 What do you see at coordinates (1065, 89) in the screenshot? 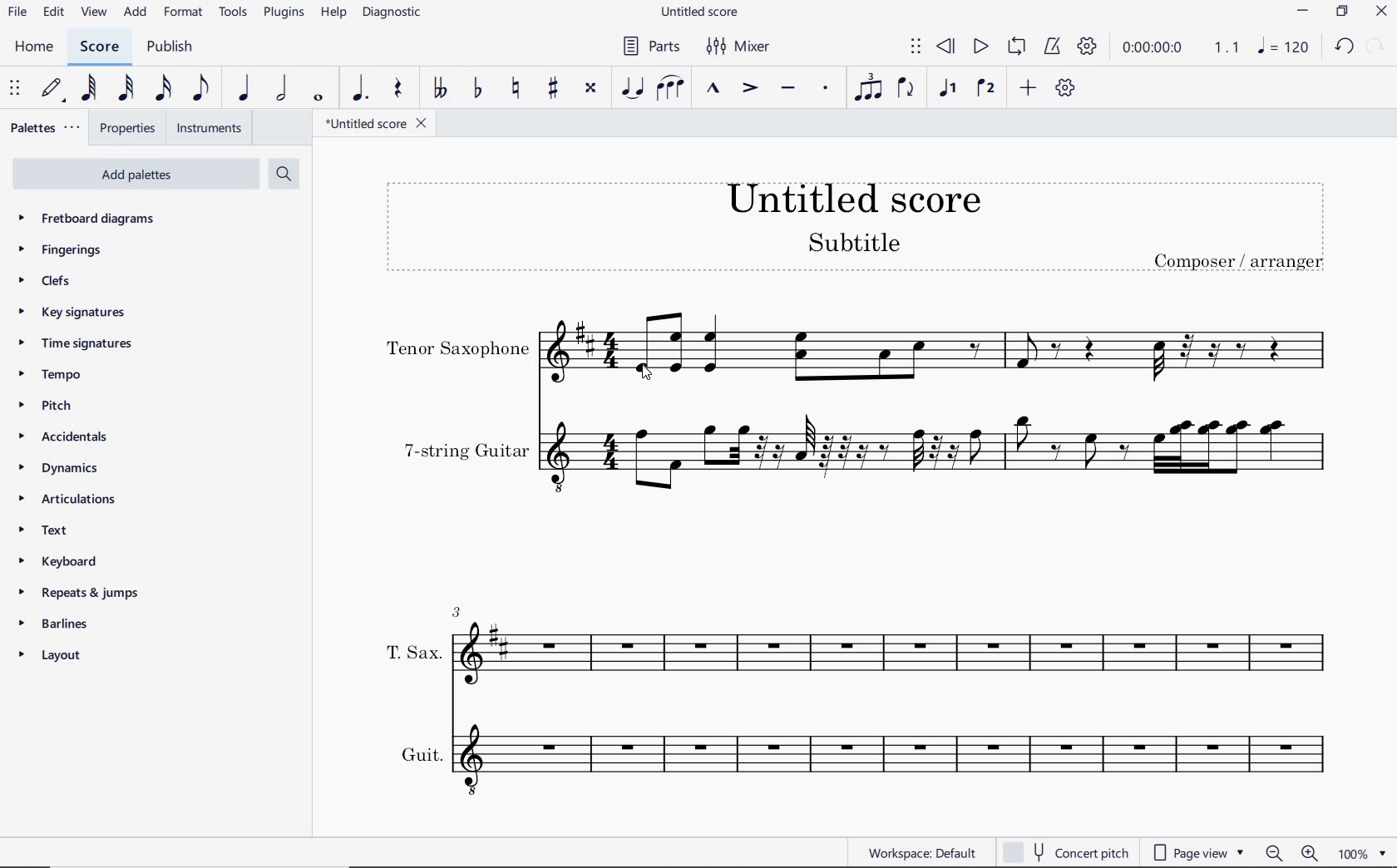
I see `CUSTOMIZE TOOLBAR` at bounding box center [1065, 89].